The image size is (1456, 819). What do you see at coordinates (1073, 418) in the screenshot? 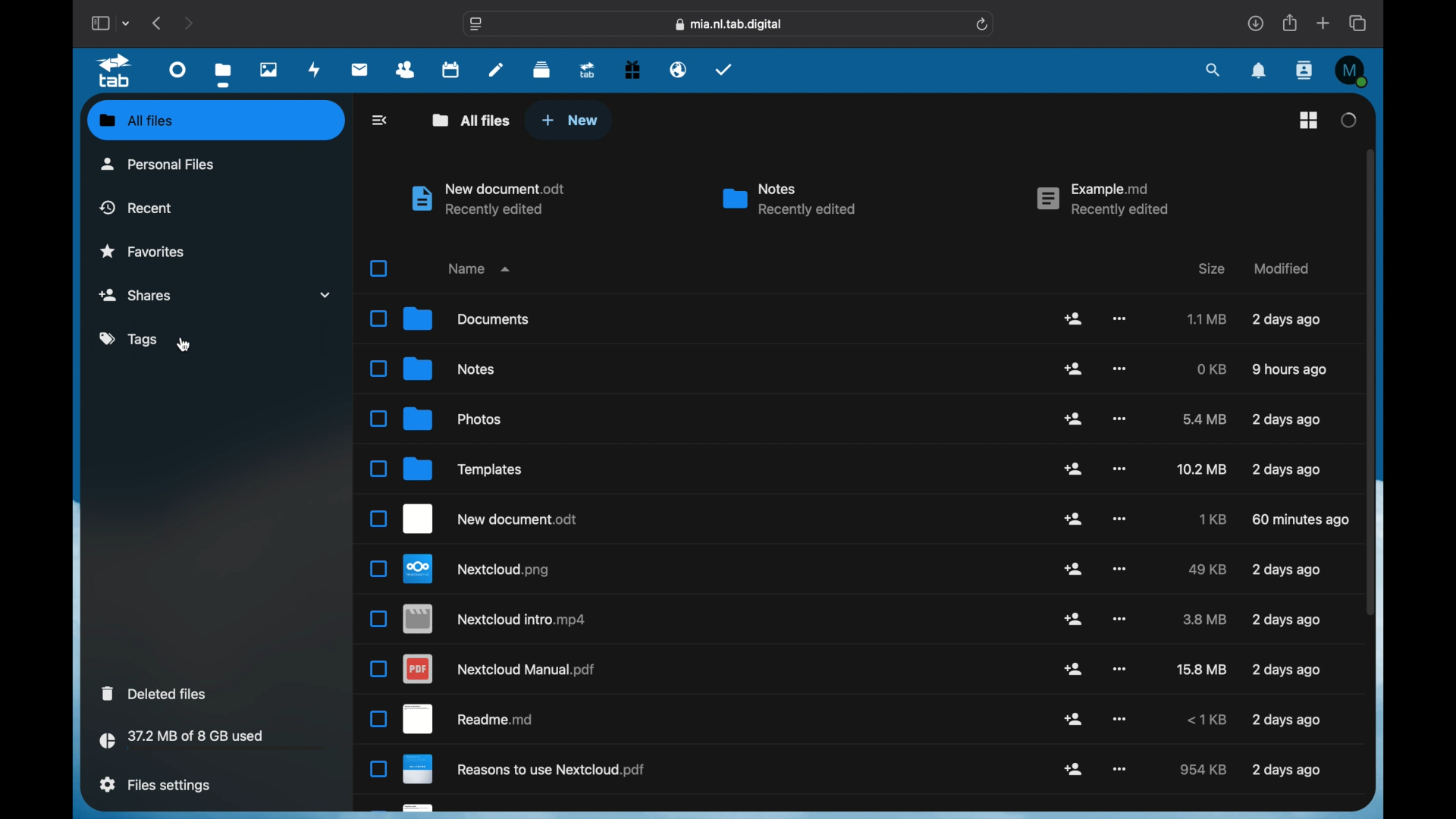
I see `share` at bounding box center [1073, 418].